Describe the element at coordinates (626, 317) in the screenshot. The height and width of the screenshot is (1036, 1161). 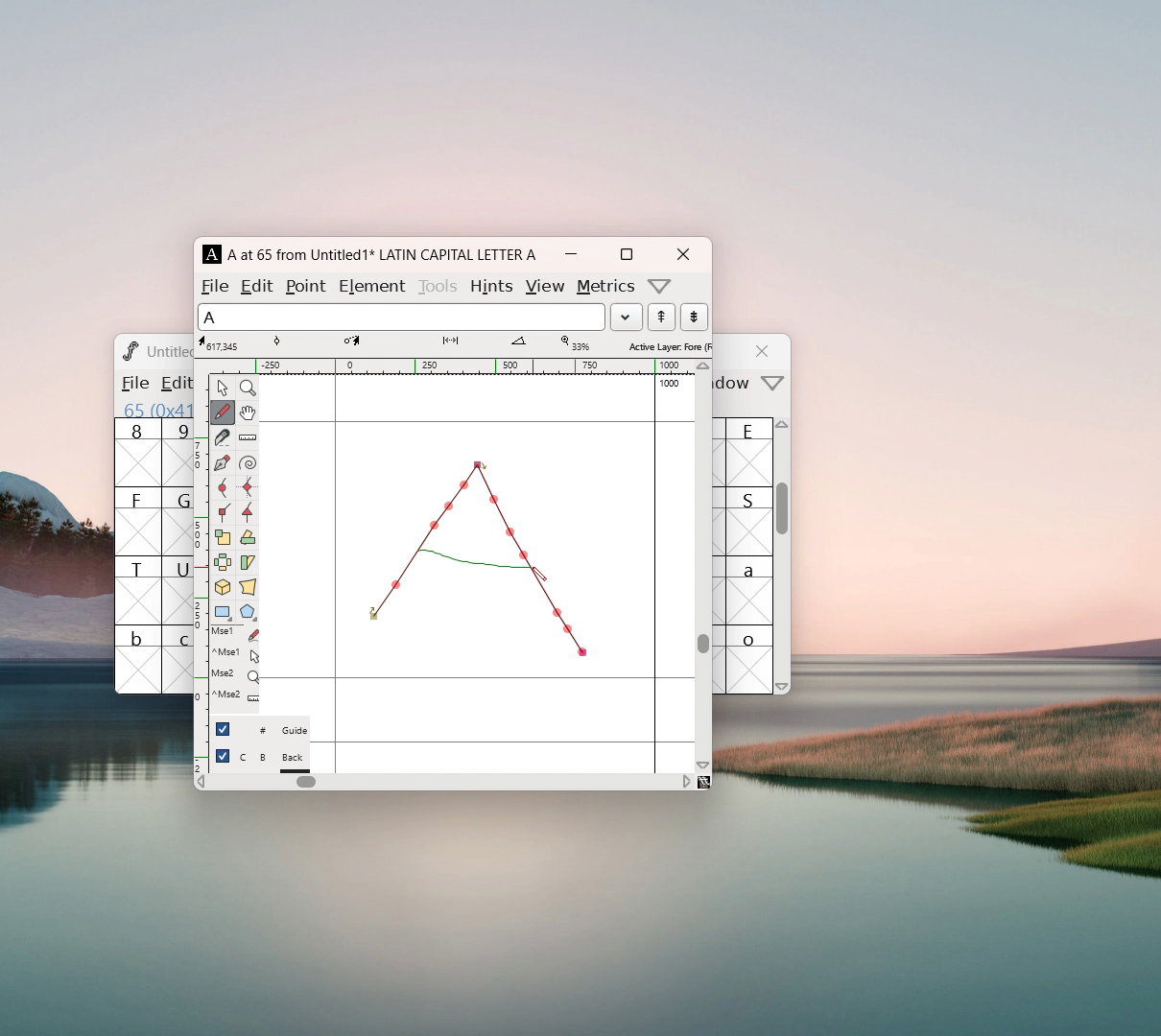
I see `load word list` at that location.